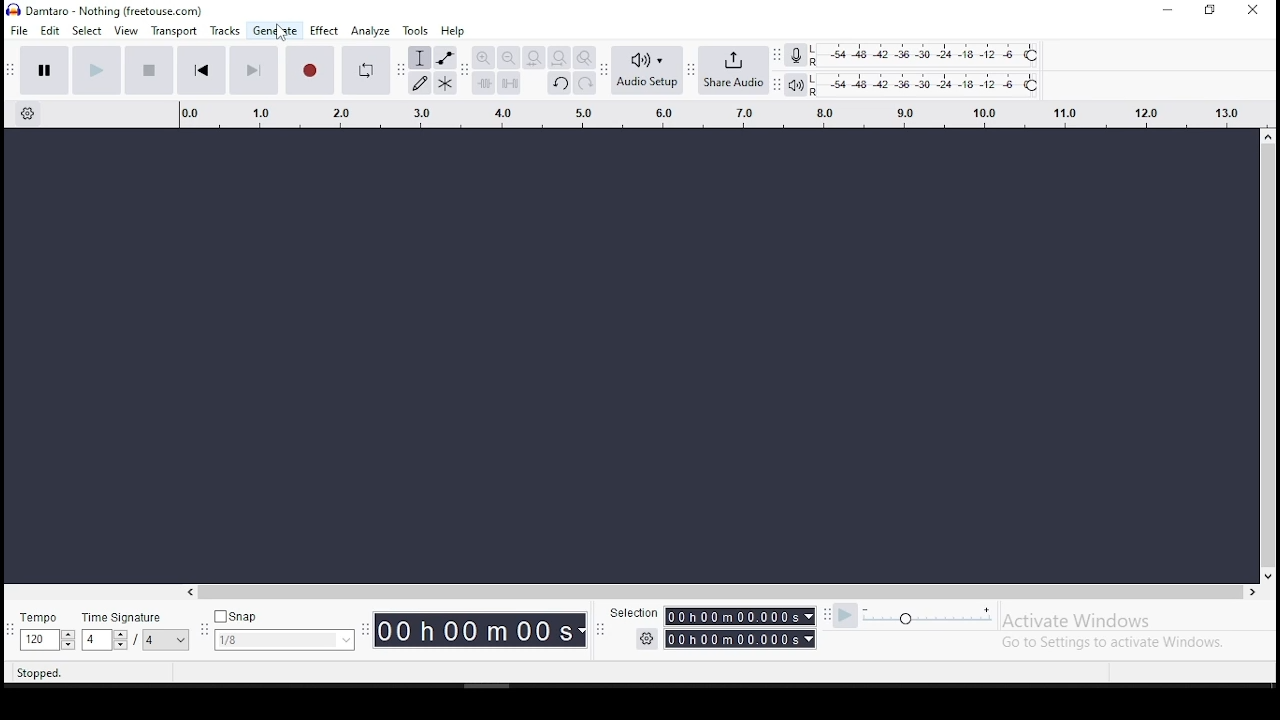  I want to click on playback meter, so click(794, 86).